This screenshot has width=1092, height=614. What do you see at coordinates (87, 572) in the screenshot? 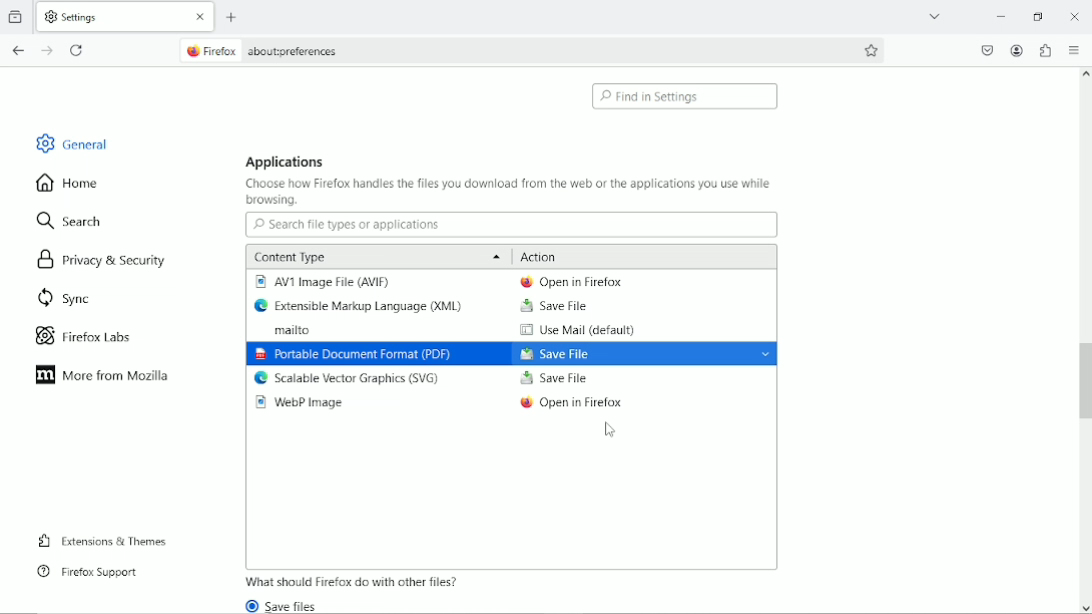
I see `Firefox support` at bounding box center [87, 572].